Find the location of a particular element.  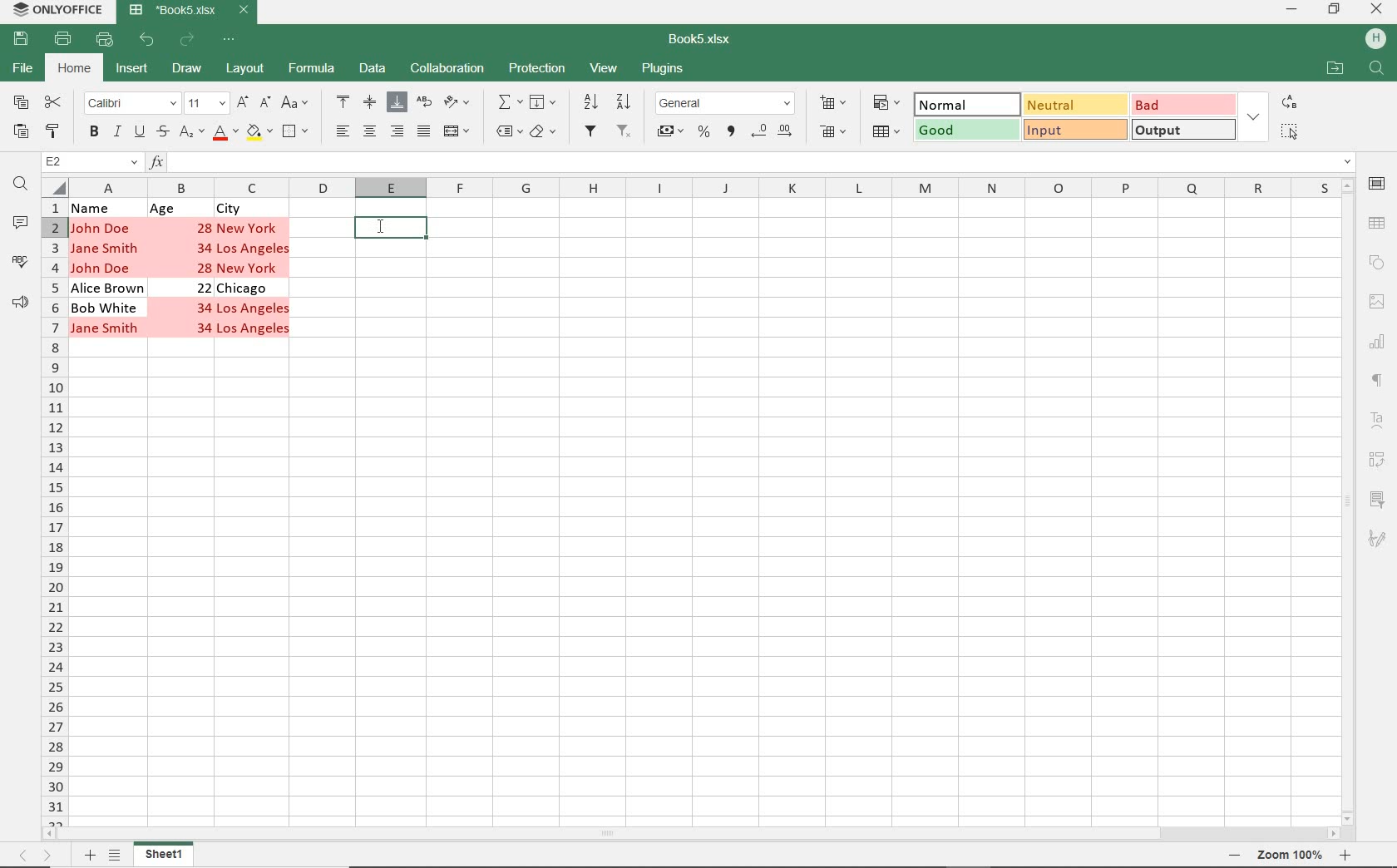

INPUT is located at coordinates (1074, 129).